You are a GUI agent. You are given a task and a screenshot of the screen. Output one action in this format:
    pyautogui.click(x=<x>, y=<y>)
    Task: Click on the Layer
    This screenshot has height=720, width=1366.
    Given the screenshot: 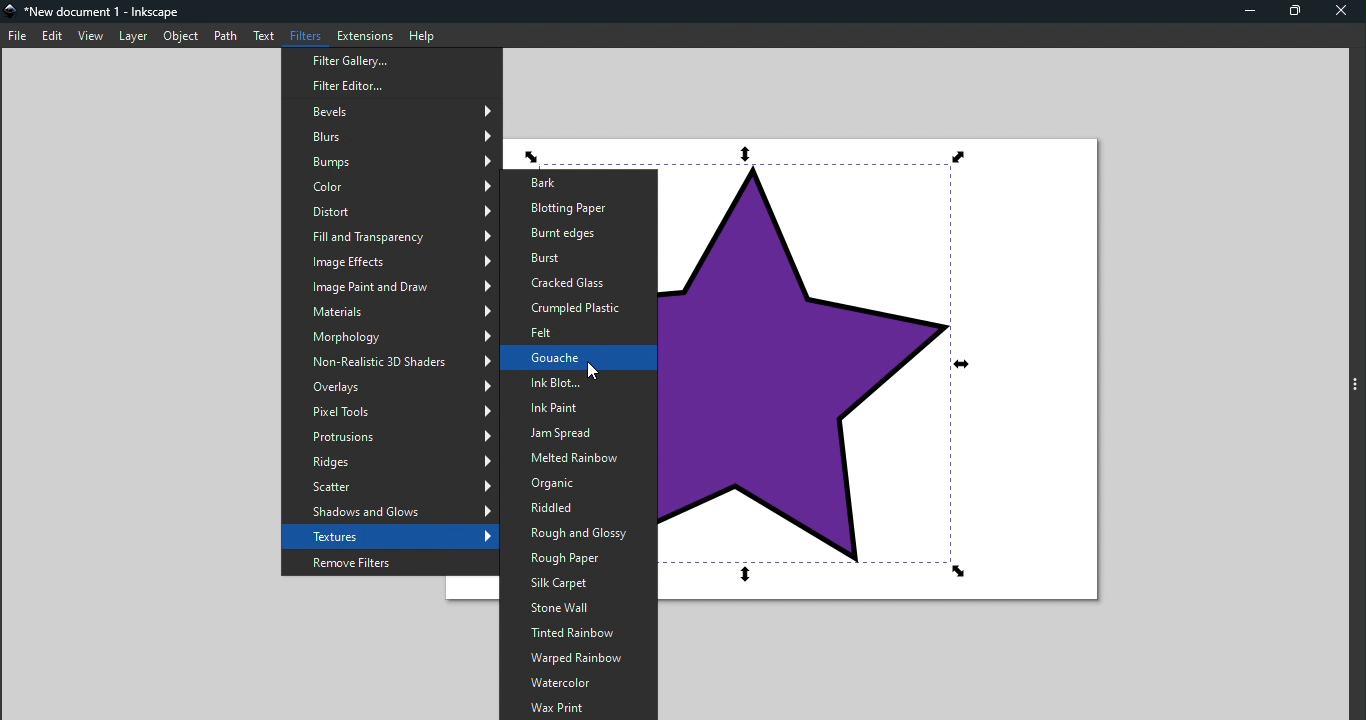 What is the action you would take?
    pyautogui.click(x=131, y=35)
    